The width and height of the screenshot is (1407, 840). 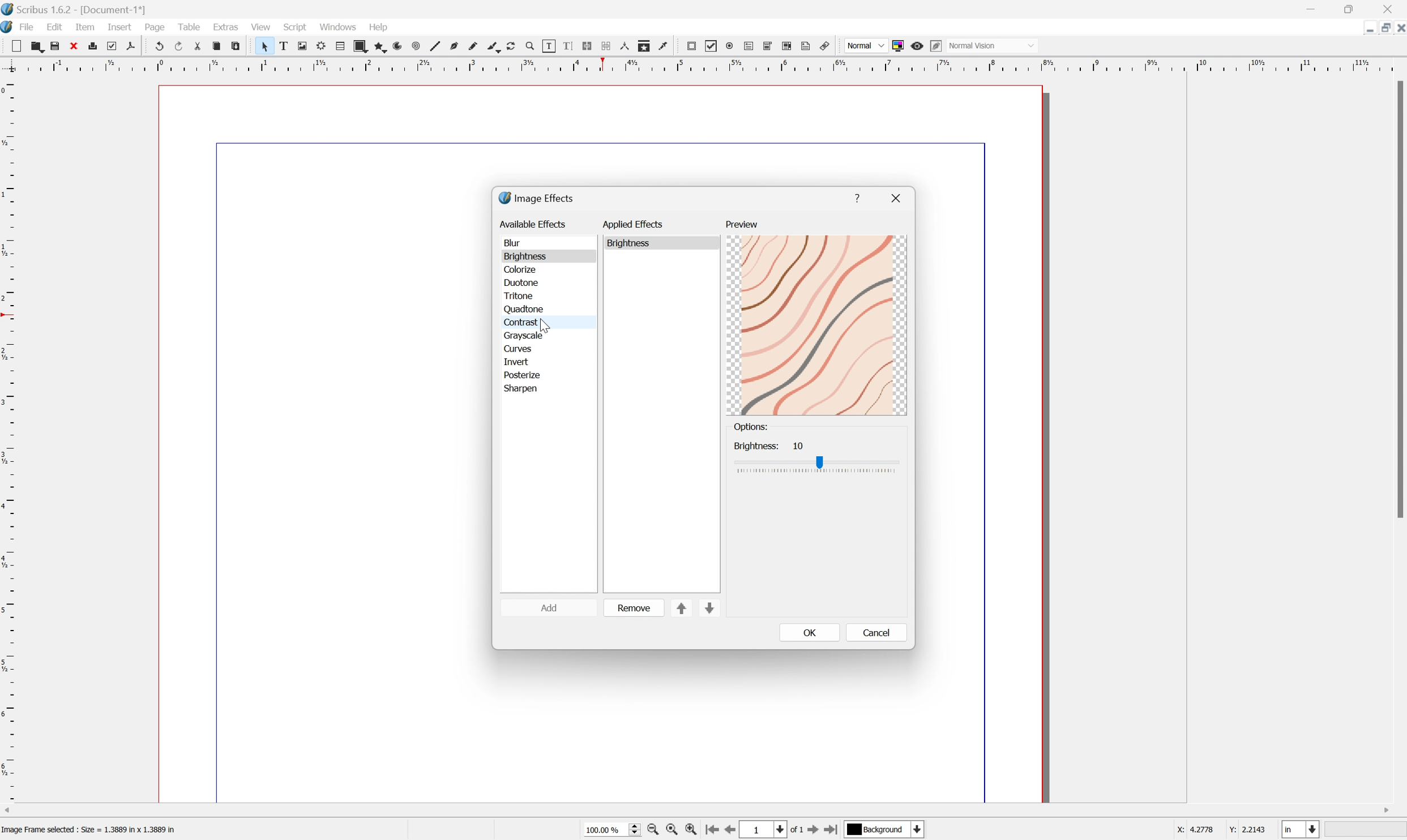 I want to click on Insert, so click(x=119, y=27).